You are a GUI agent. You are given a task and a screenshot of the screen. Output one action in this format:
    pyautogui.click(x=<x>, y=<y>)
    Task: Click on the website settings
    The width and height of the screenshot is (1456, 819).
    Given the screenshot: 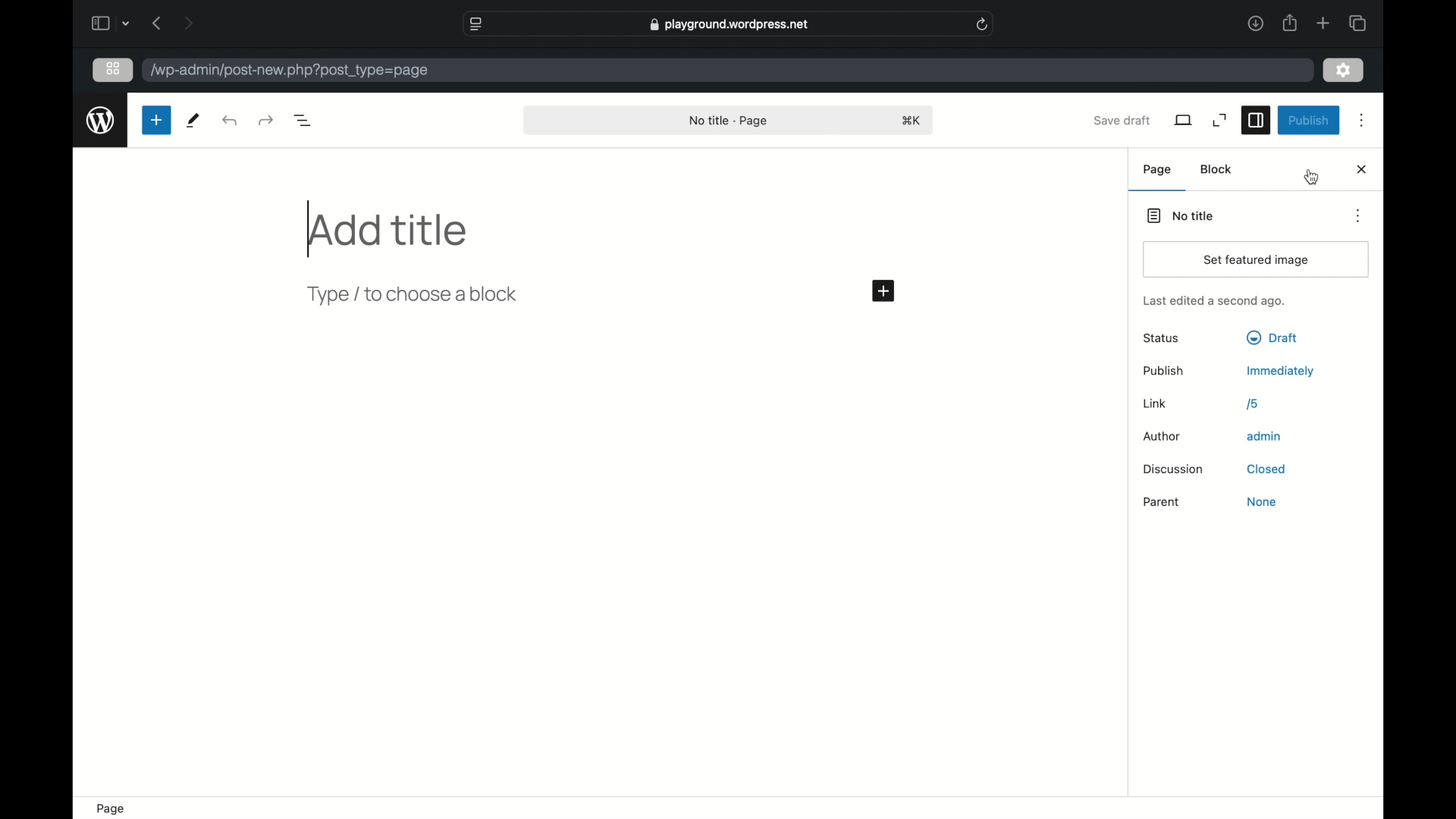 What is the action you would take?
    pyautogui.click(x=476, y=24)
    